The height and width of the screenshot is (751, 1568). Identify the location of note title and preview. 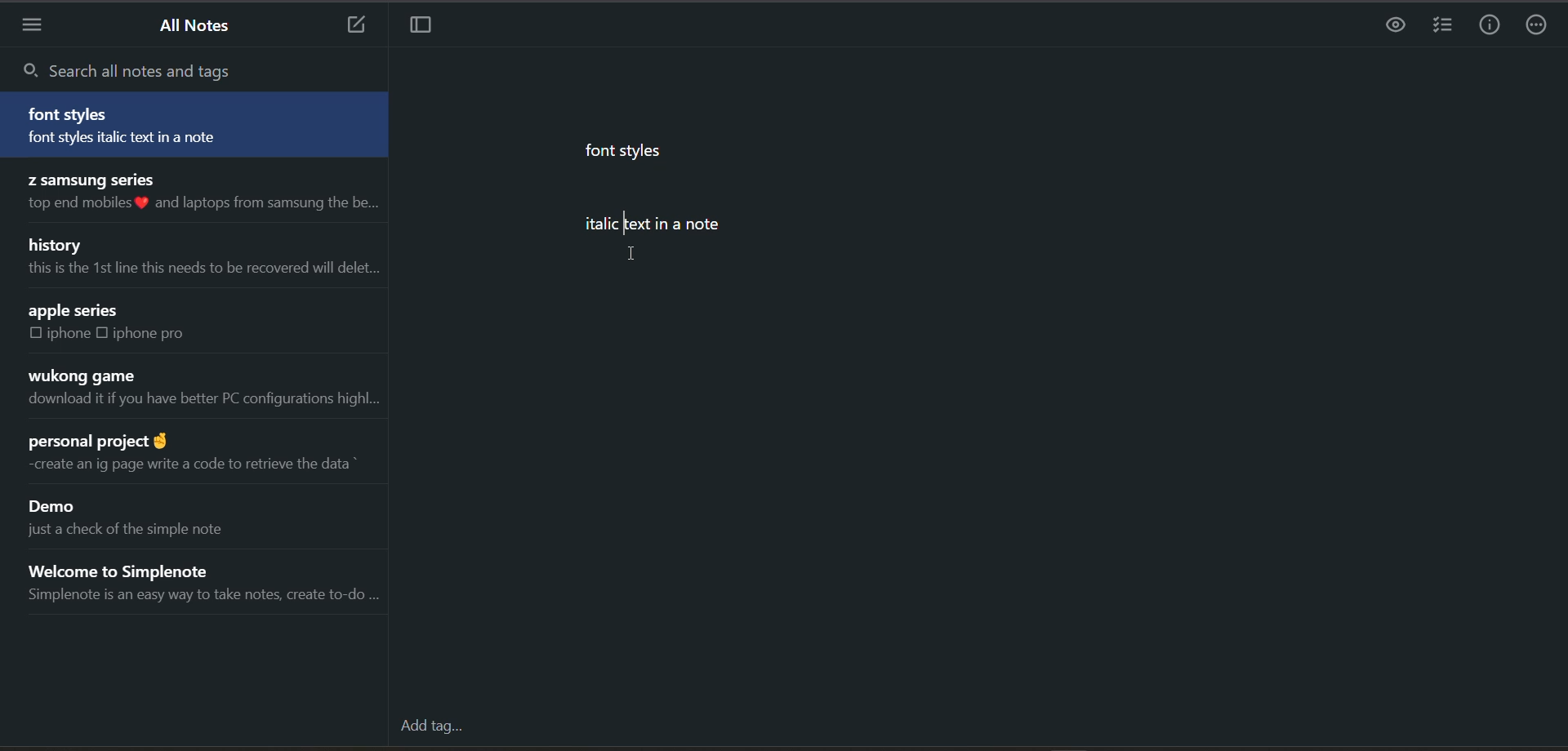
(197, 457).